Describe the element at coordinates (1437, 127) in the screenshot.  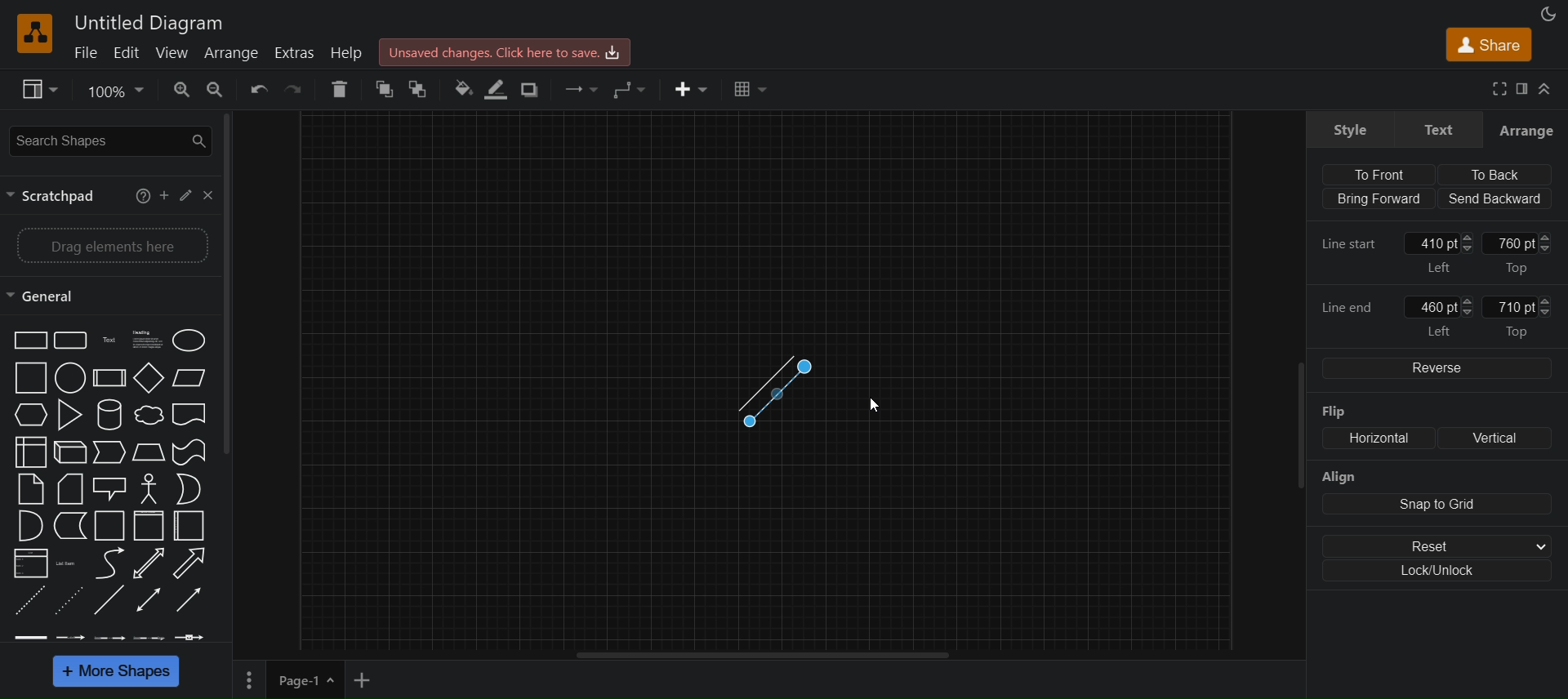
I see `text` at that location.